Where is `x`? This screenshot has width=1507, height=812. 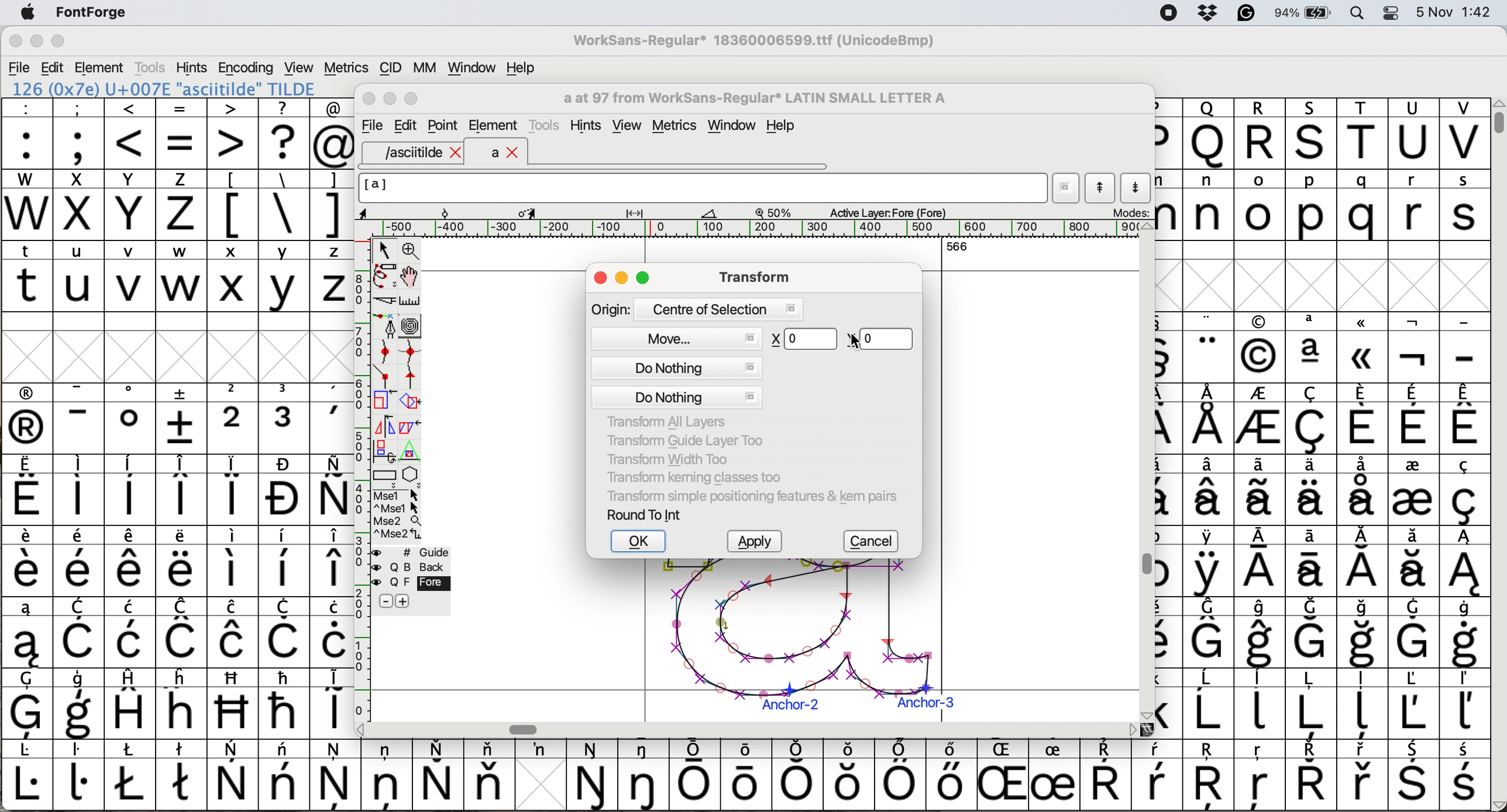 x is located at coordinates (232, 276).